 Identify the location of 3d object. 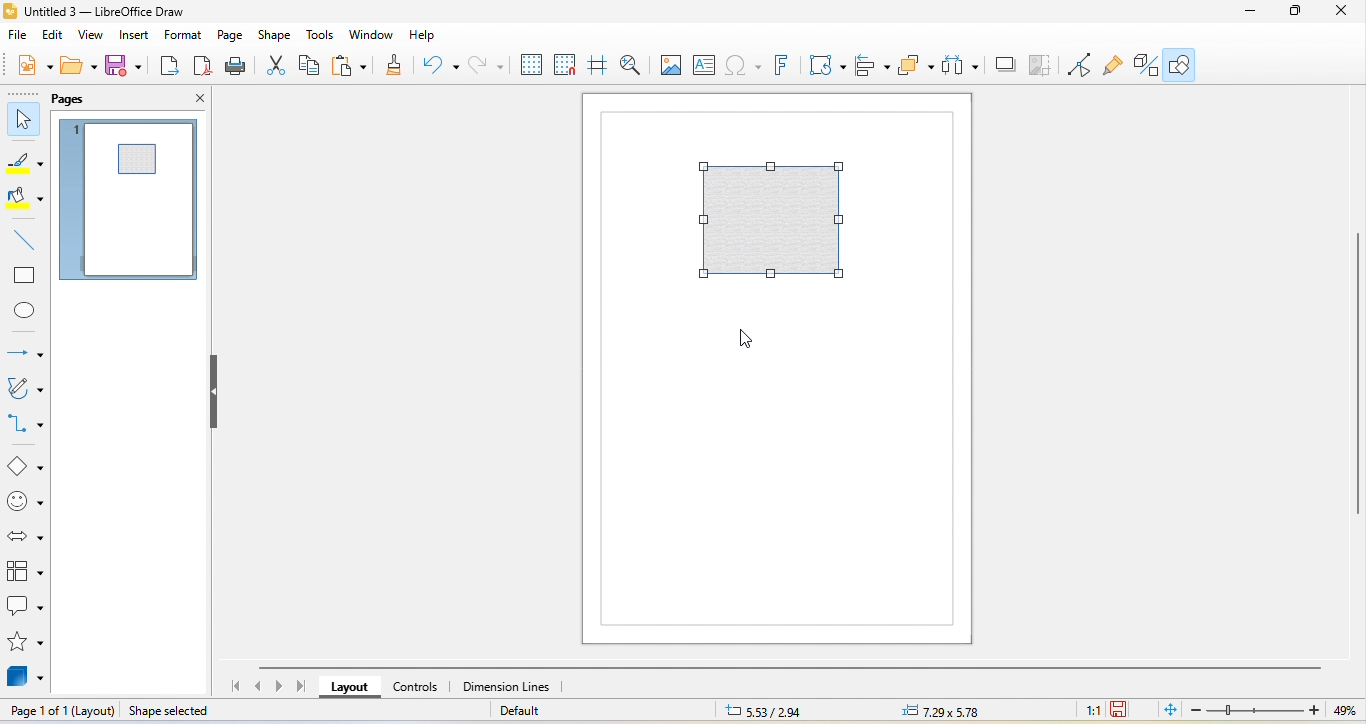
(27, 675).